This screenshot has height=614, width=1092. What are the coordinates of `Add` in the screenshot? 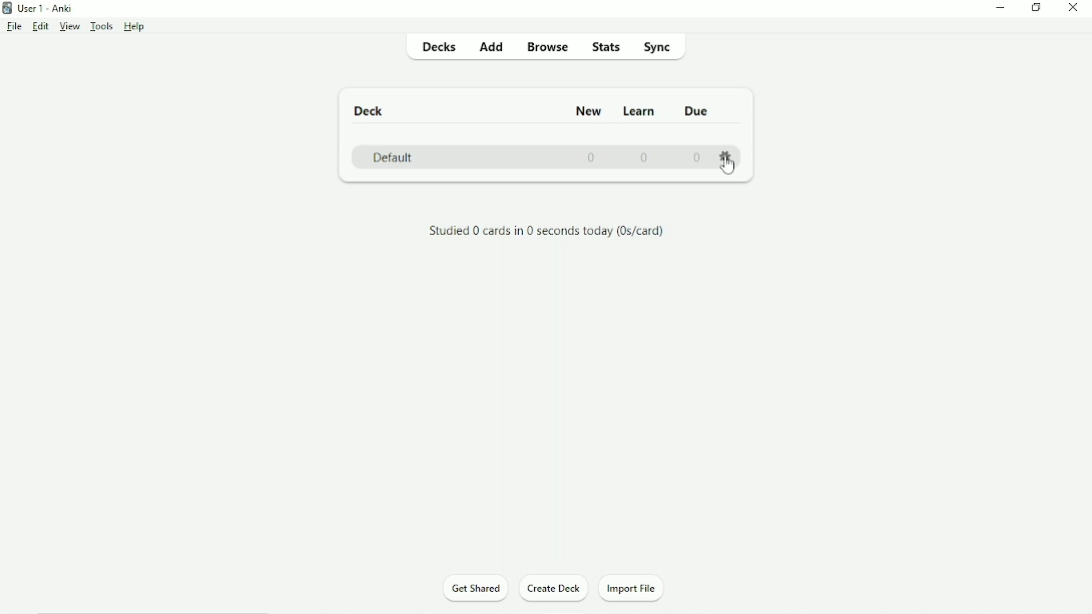 It's located at (491, 45).